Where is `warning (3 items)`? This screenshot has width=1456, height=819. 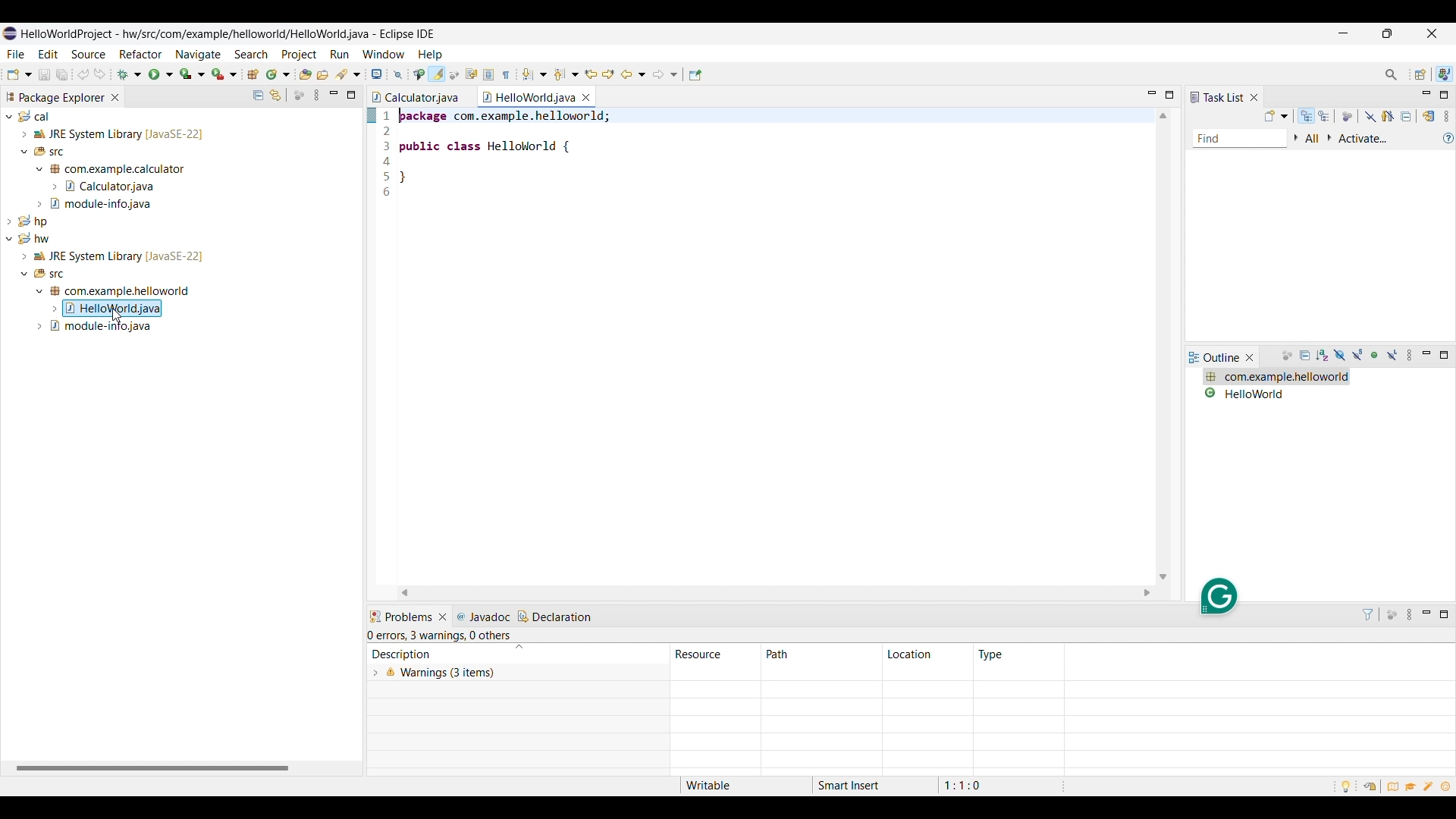
warning (3 items) is located at coordinates (698, 684).